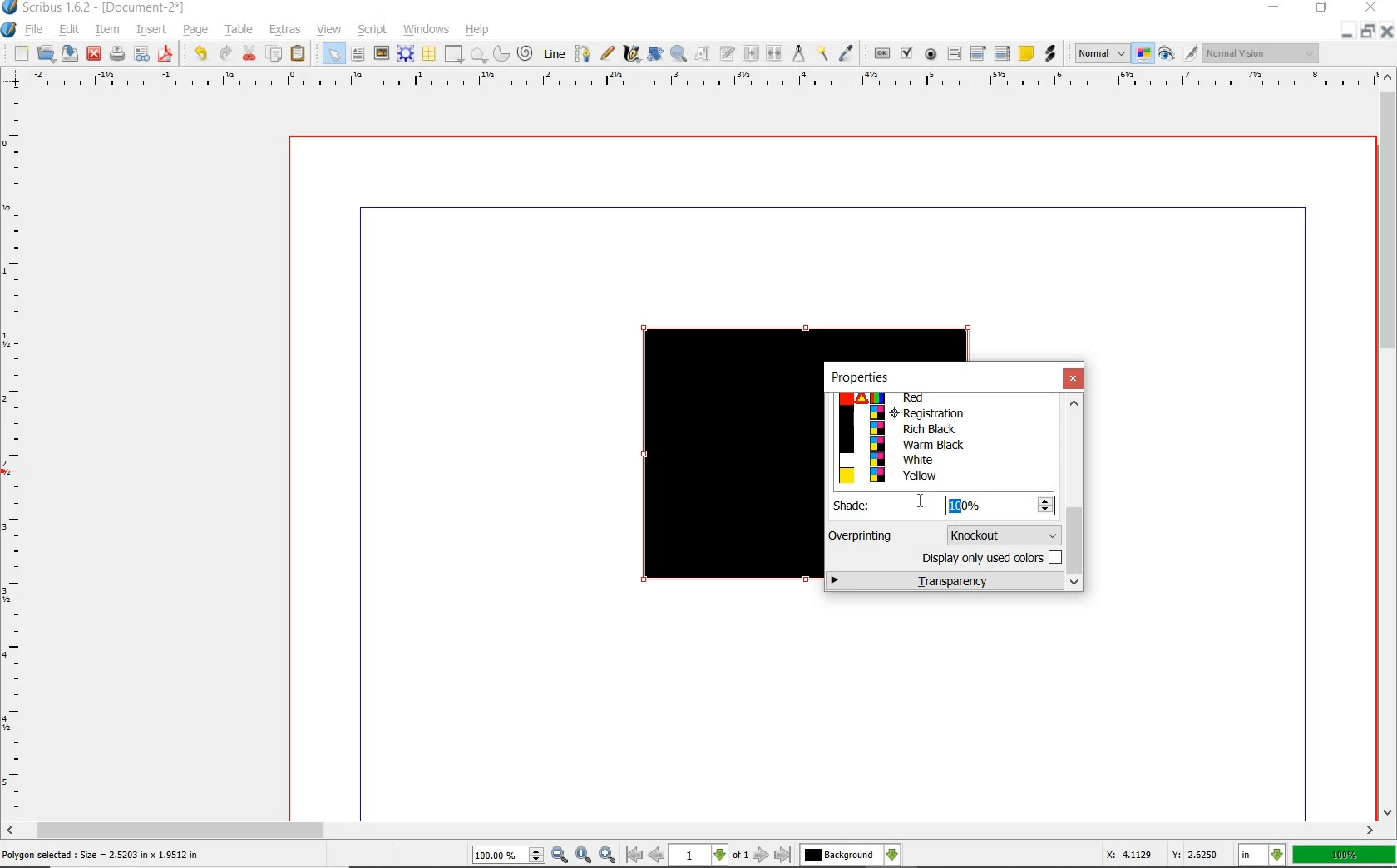 This screenshot has width=1397, height=868. What do you see at coordinates (921, 501) in the screenshot?
I see `cursor` at bounding box center [921, 501].